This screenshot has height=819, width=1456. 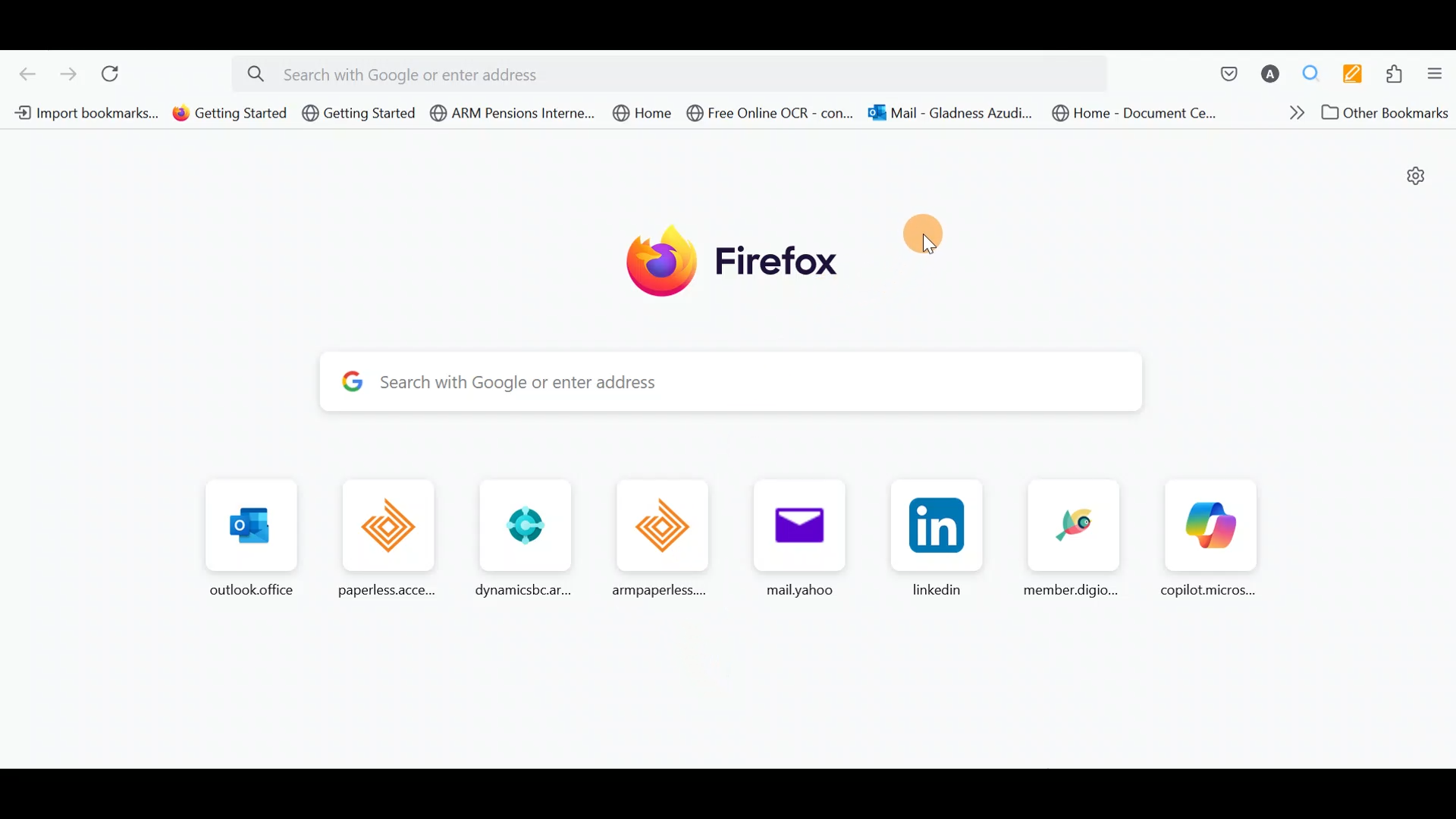 What do you see at coordinates (677, 71) in the screenshot?
I see `Search bar` at bounding box center [677, 71].